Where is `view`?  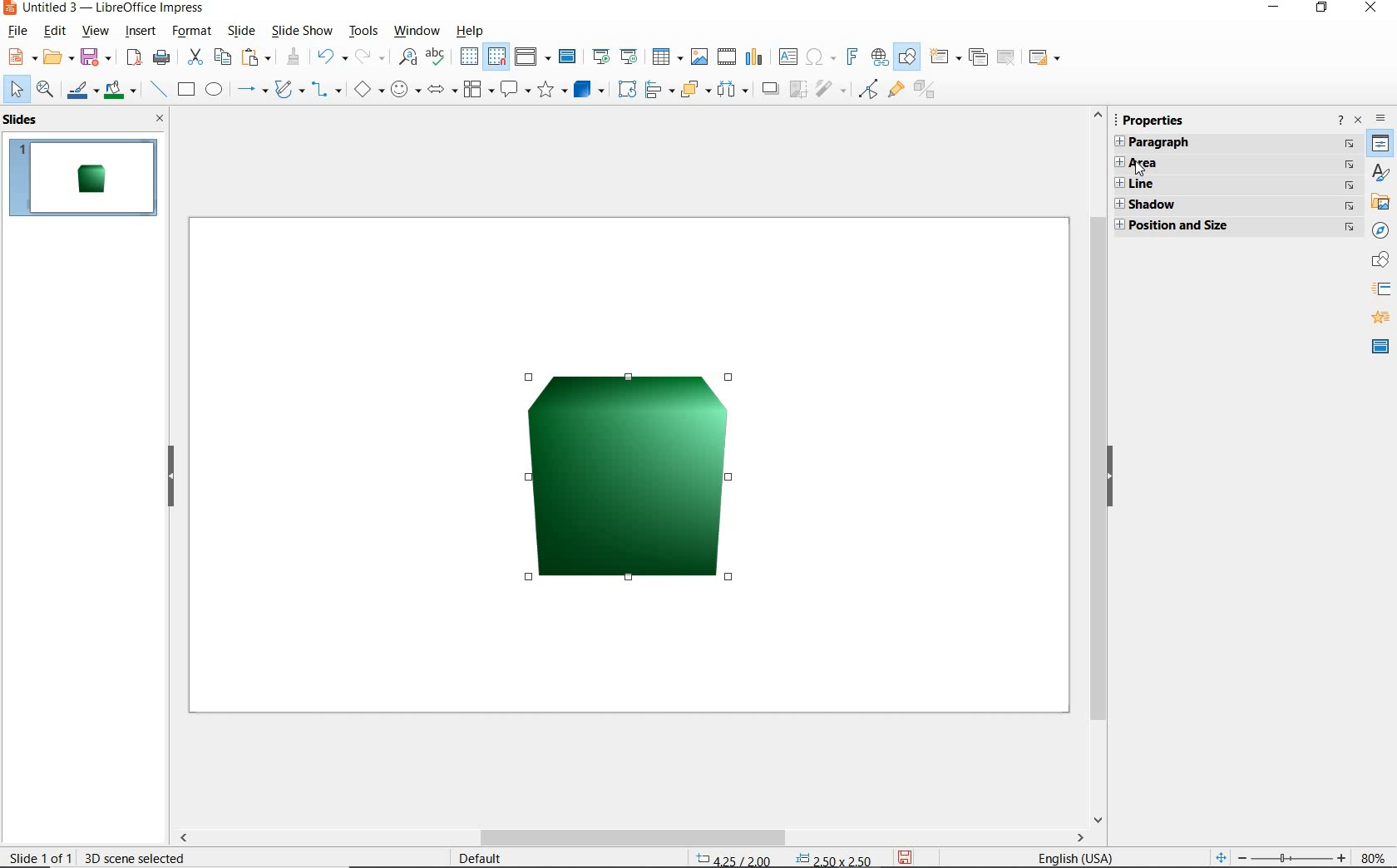
view is located at coordinates (96, 31).